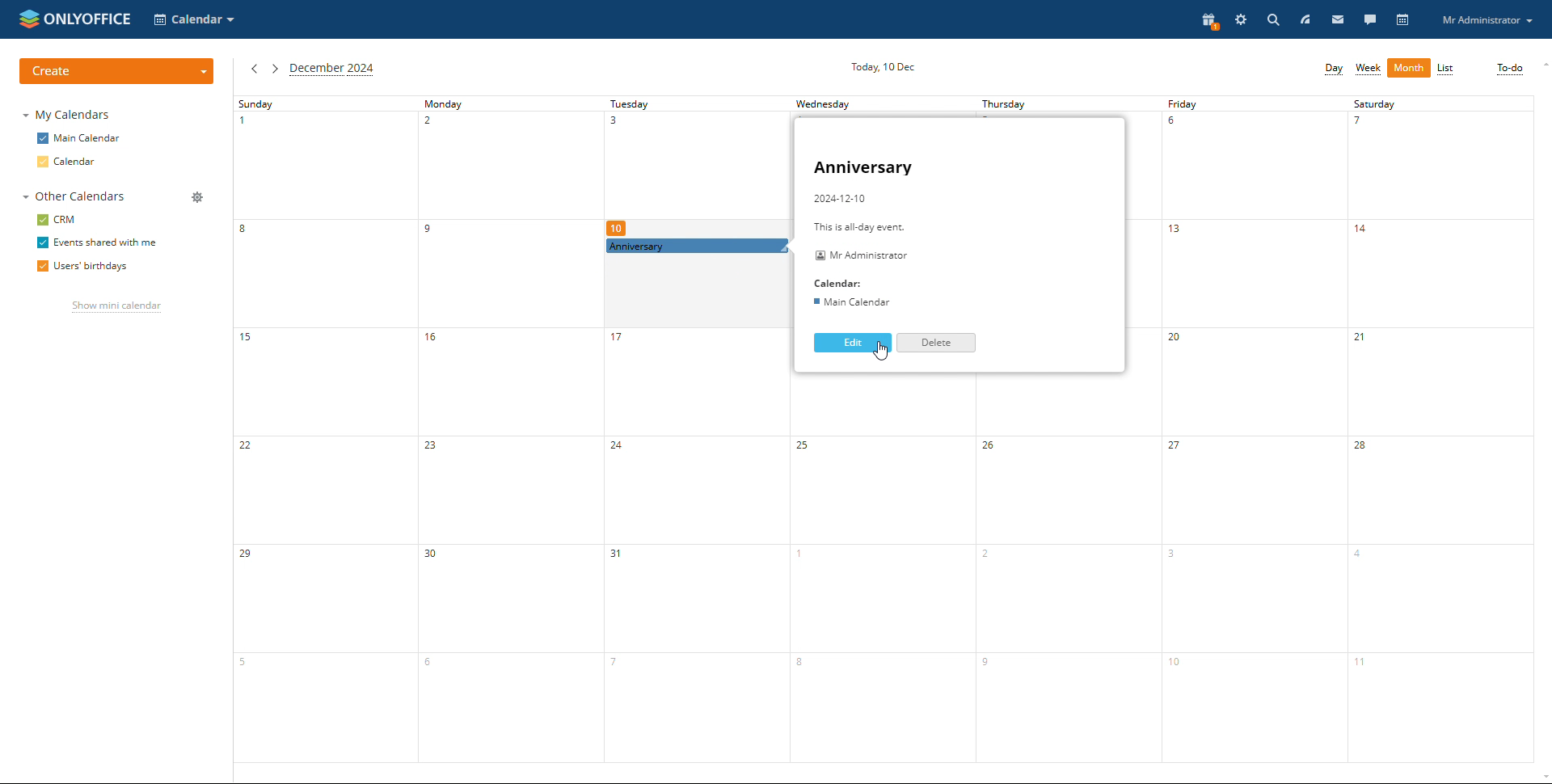 Image resolution: width=1552 pixels, height=784 pixels. Describe the element at coordinates (116, 72) in the screenshot. I see `create` at that location.